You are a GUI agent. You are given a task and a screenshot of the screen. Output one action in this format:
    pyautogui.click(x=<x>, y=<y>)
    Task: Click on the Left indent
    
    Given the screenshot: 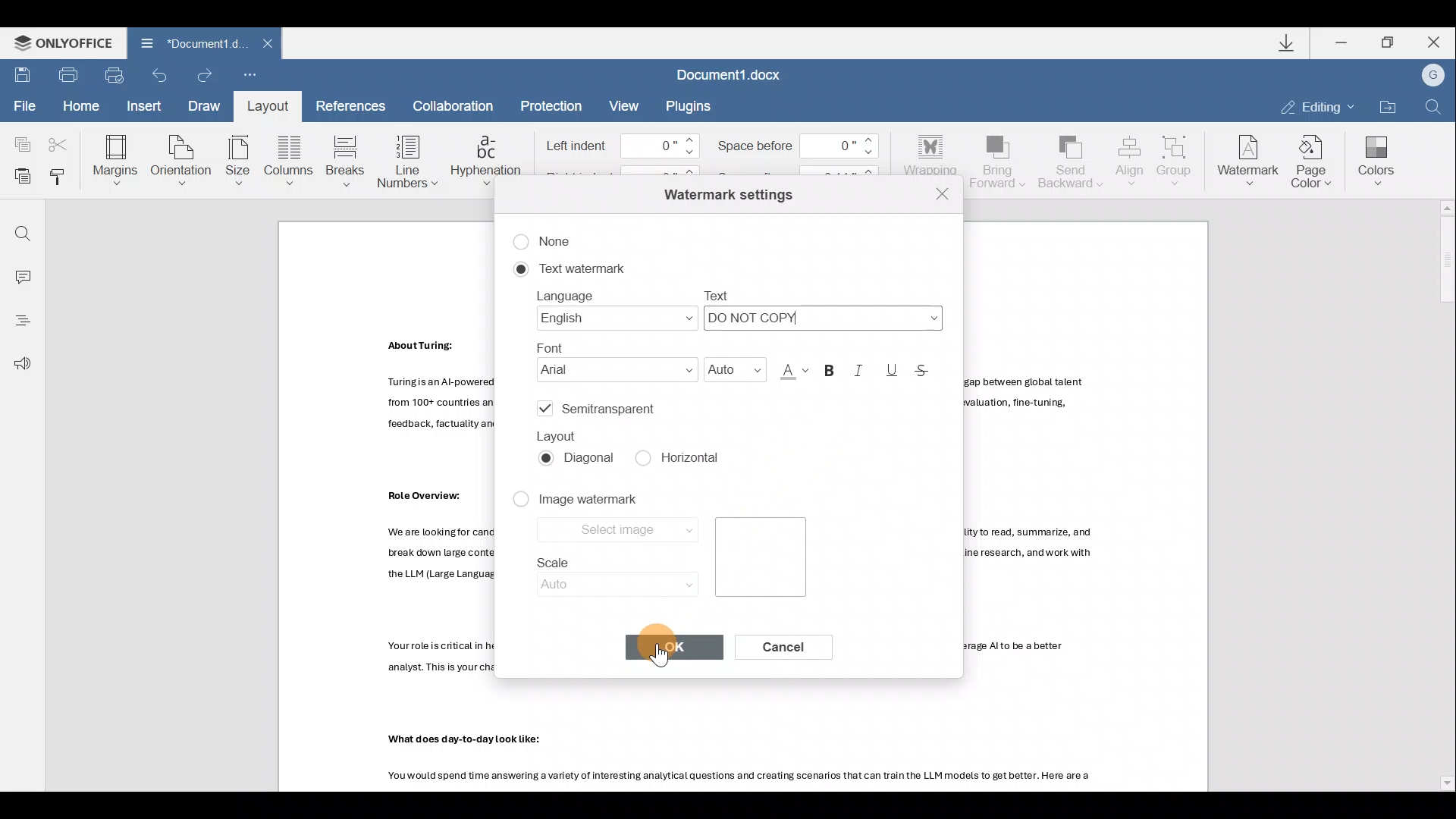 What is the action you would take?
    pyautogui.click(x=617, y=145)
    